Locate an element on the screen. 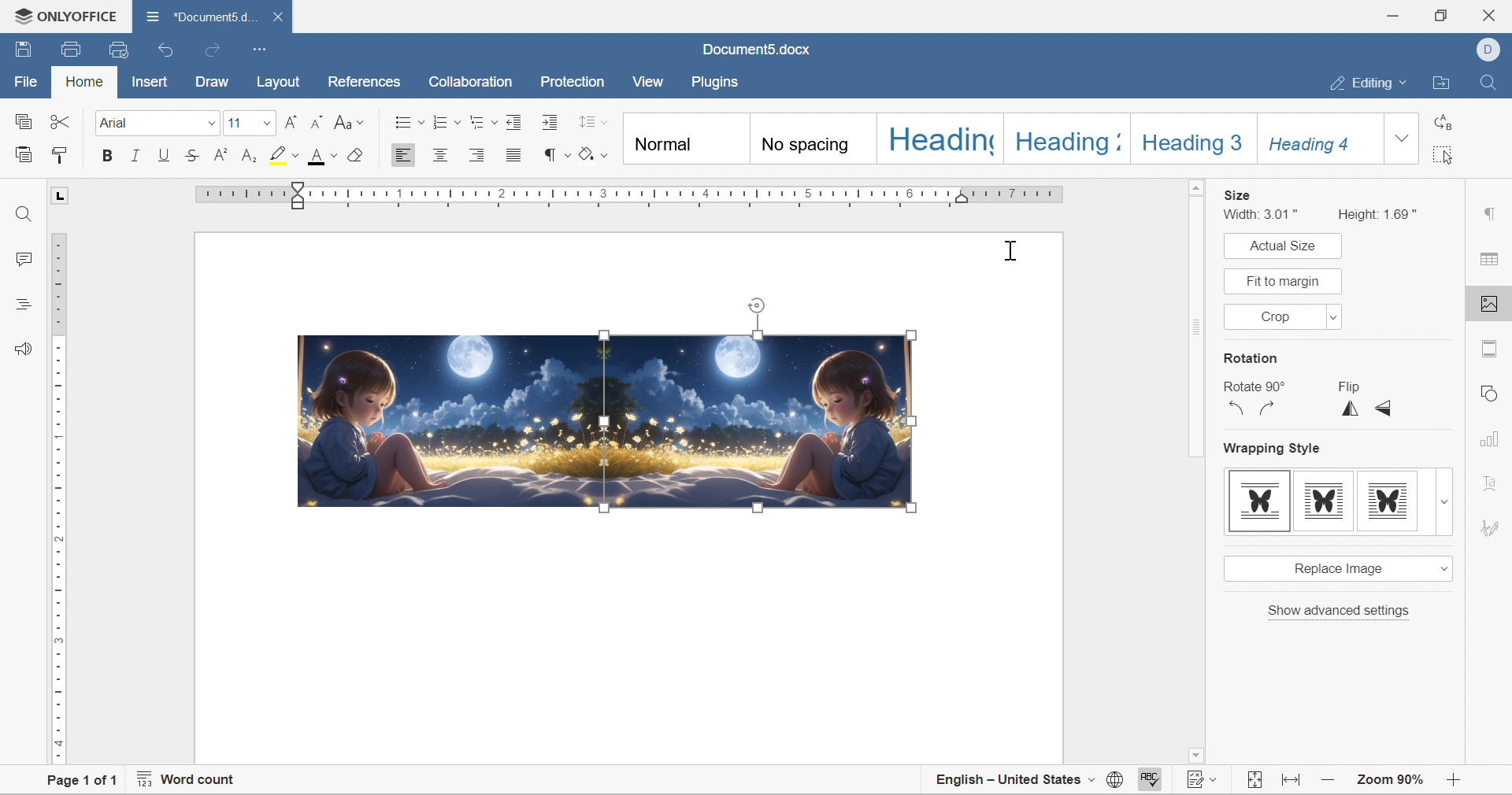  signature settings is located at coordinates (1493, 527).